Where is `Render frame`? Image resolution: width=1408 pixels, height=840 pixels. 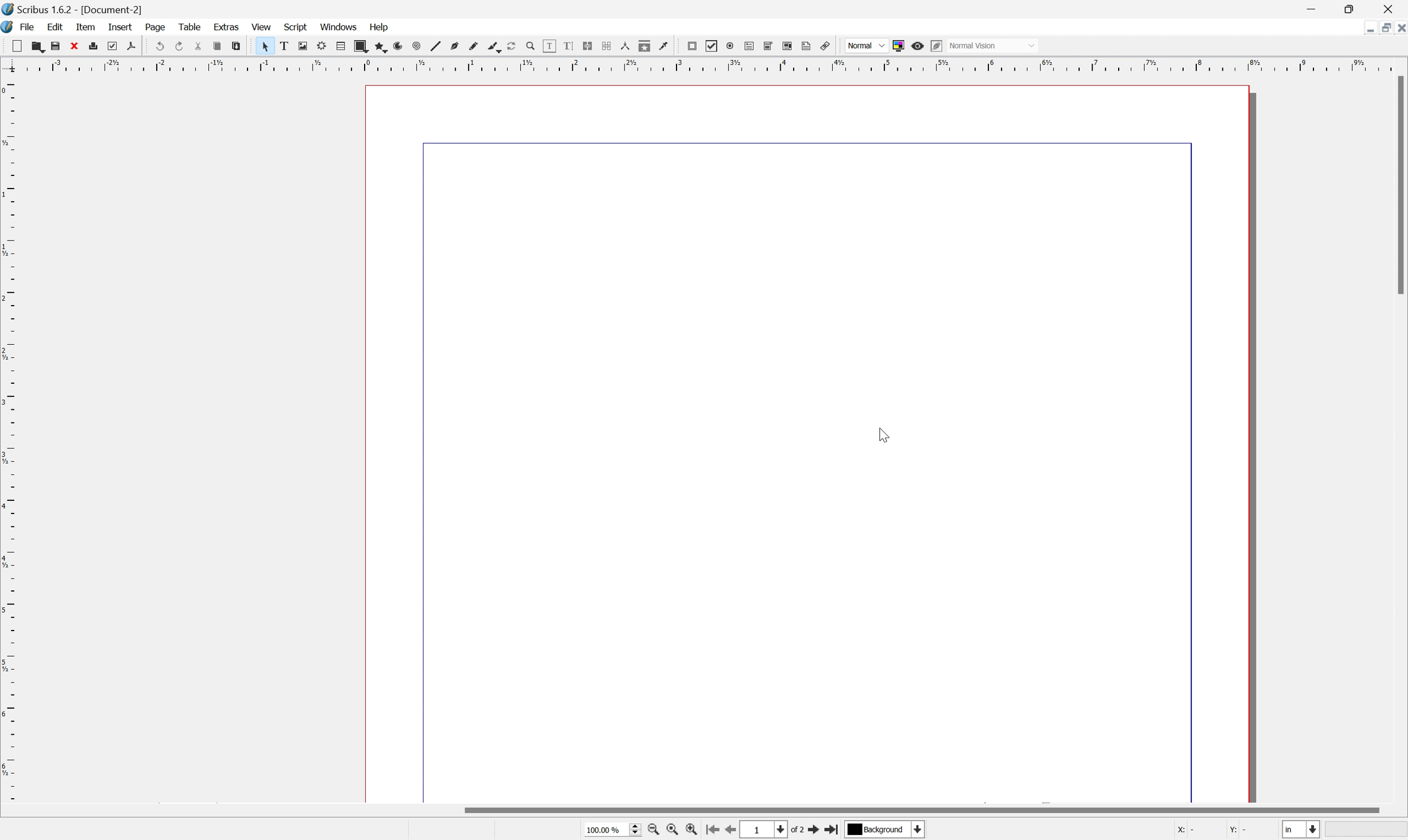 Render frame is located at coordinates (320, 46).